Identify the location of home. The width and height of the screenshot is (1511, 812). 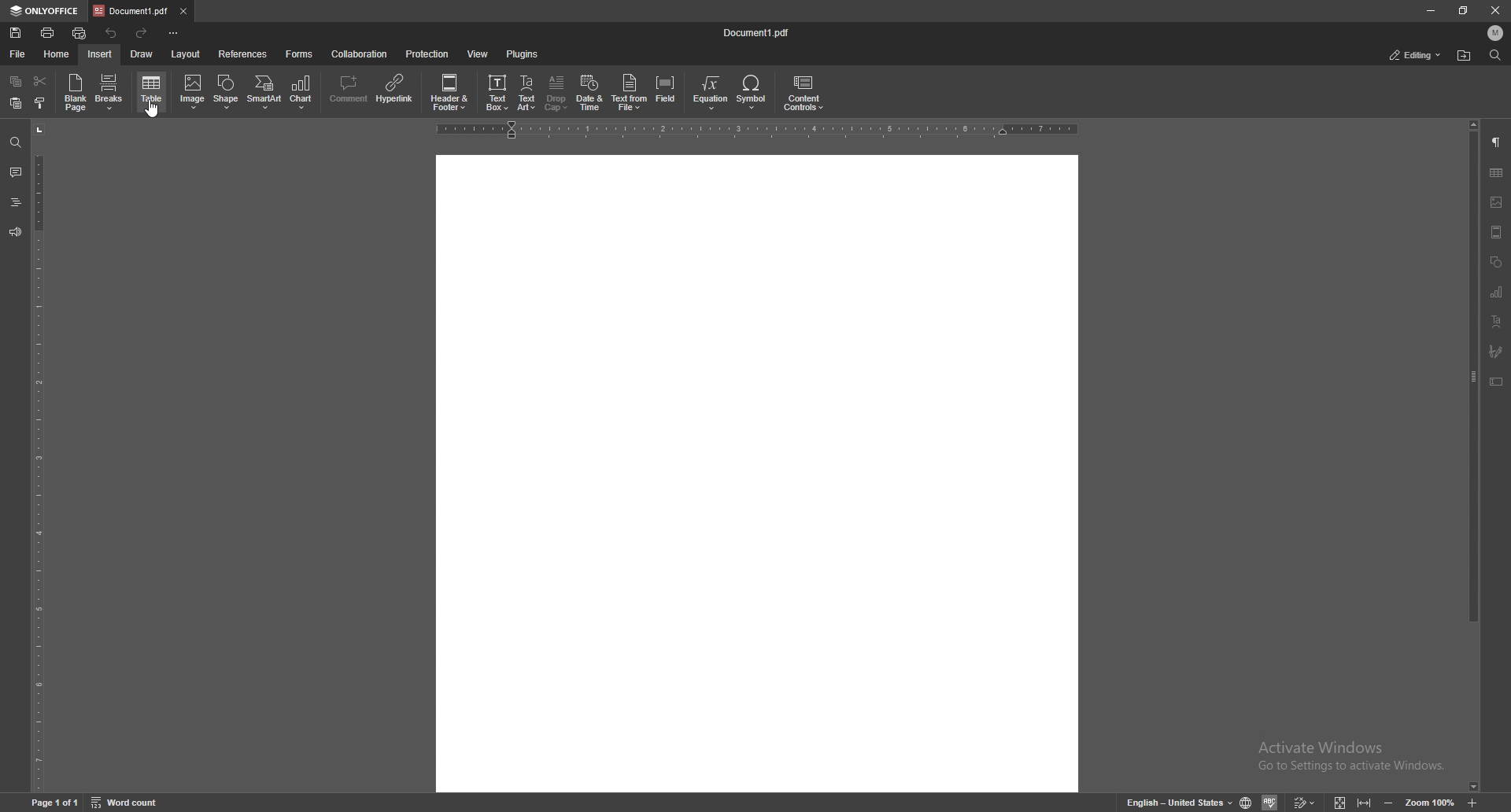
(57, 54).